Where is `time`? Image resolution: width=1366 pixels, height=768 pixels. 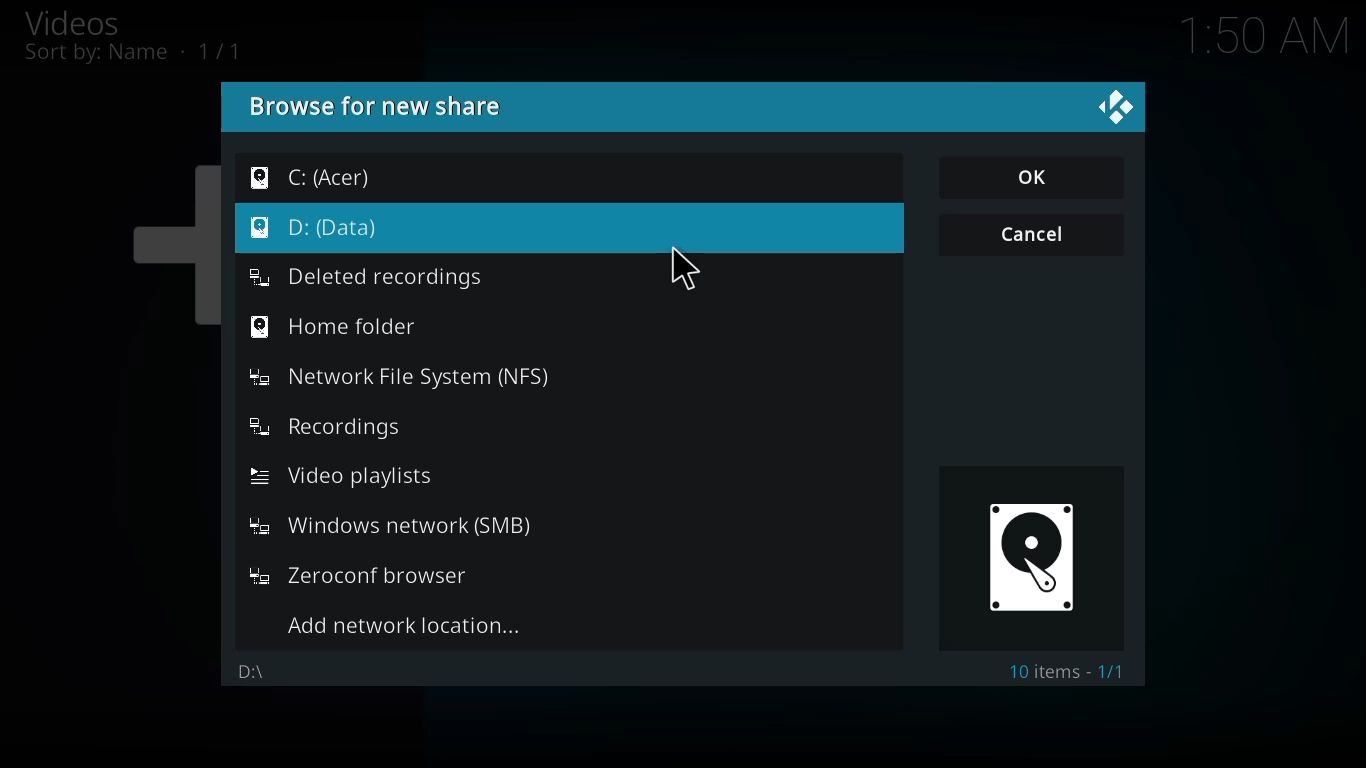
time is located at coordinates (1266, 39).